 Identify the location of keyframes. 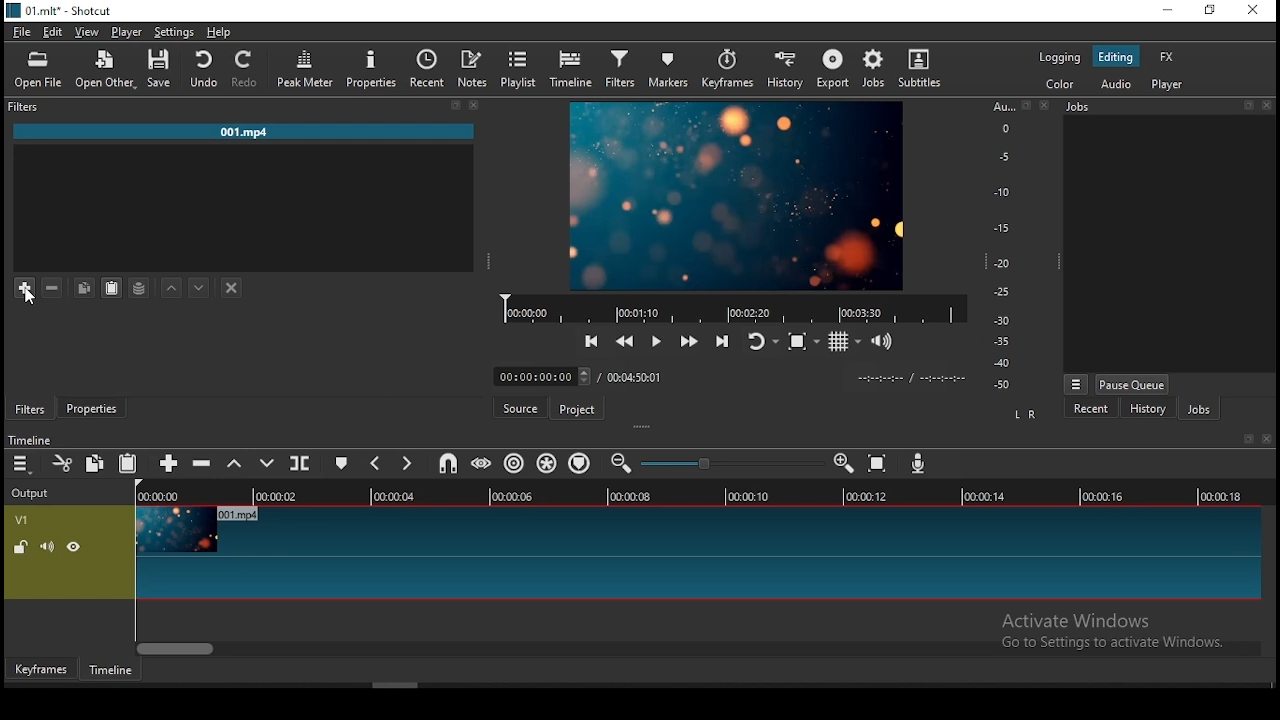
(731, 69).